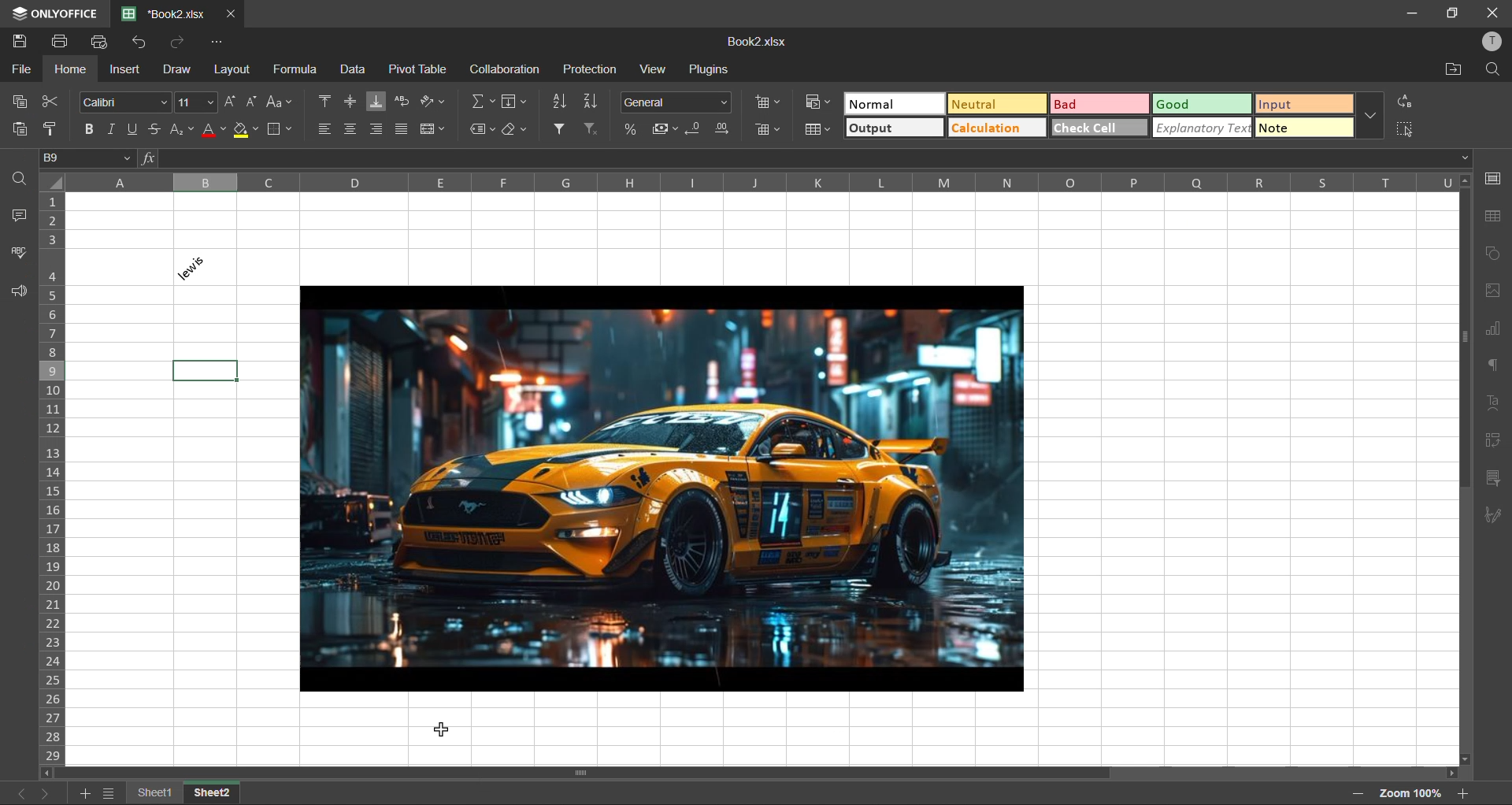 The width and height of the screenshot is (1512, 805). What do you see at coordinates (1489, 180) in the screenshot?
I see `cell settings` at bounding box center [1489, 180].